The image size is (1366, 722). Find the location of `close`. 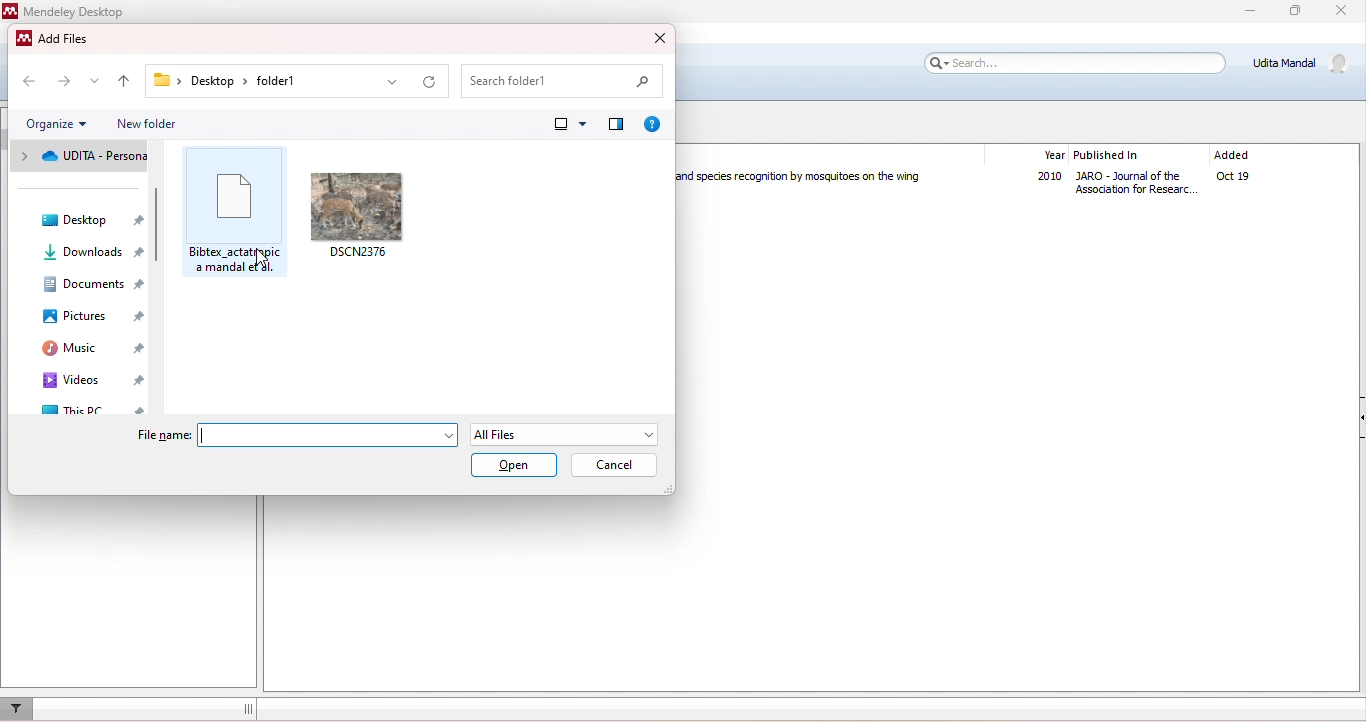

close is located at coordinates (1339, 11).